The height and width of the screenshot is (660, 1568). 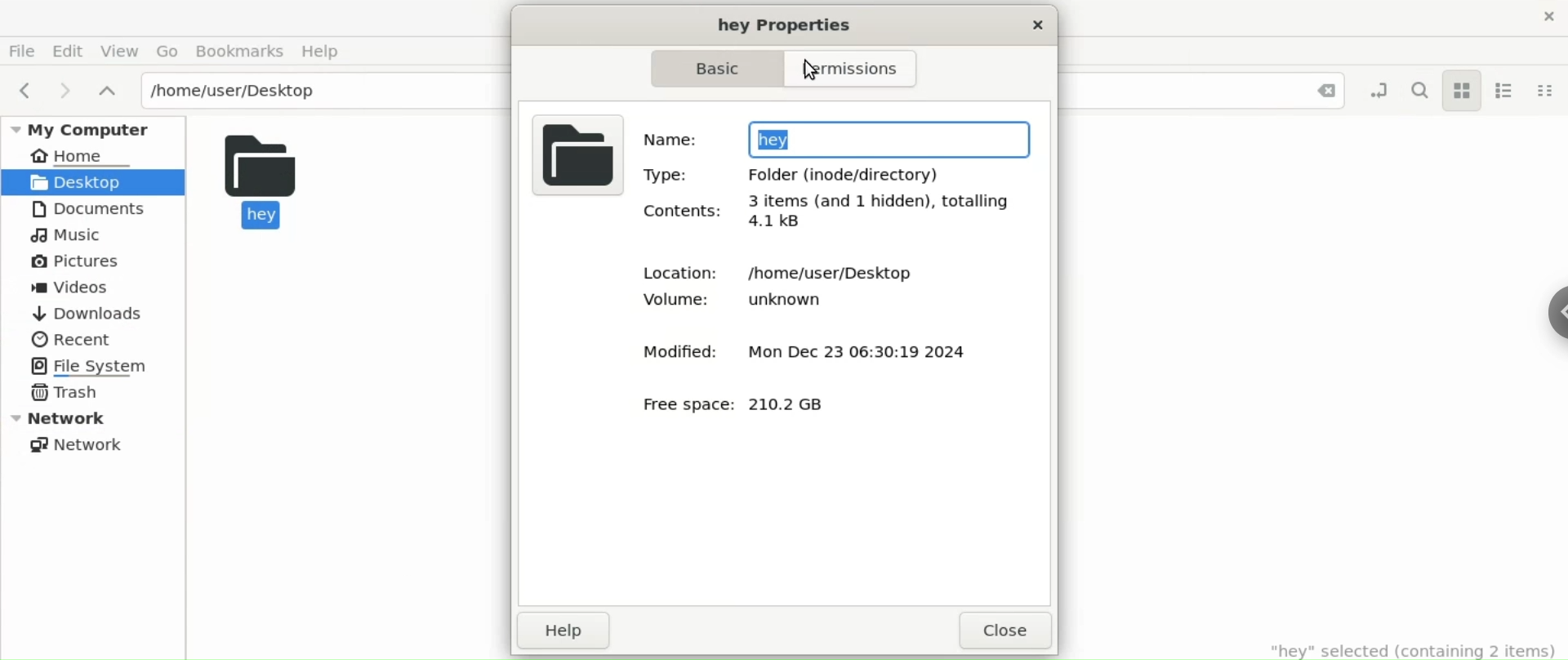 What do you see at coordinates (1549, 92) in the screenshot?
I see `compact view` at bounding box center [1549, 92].